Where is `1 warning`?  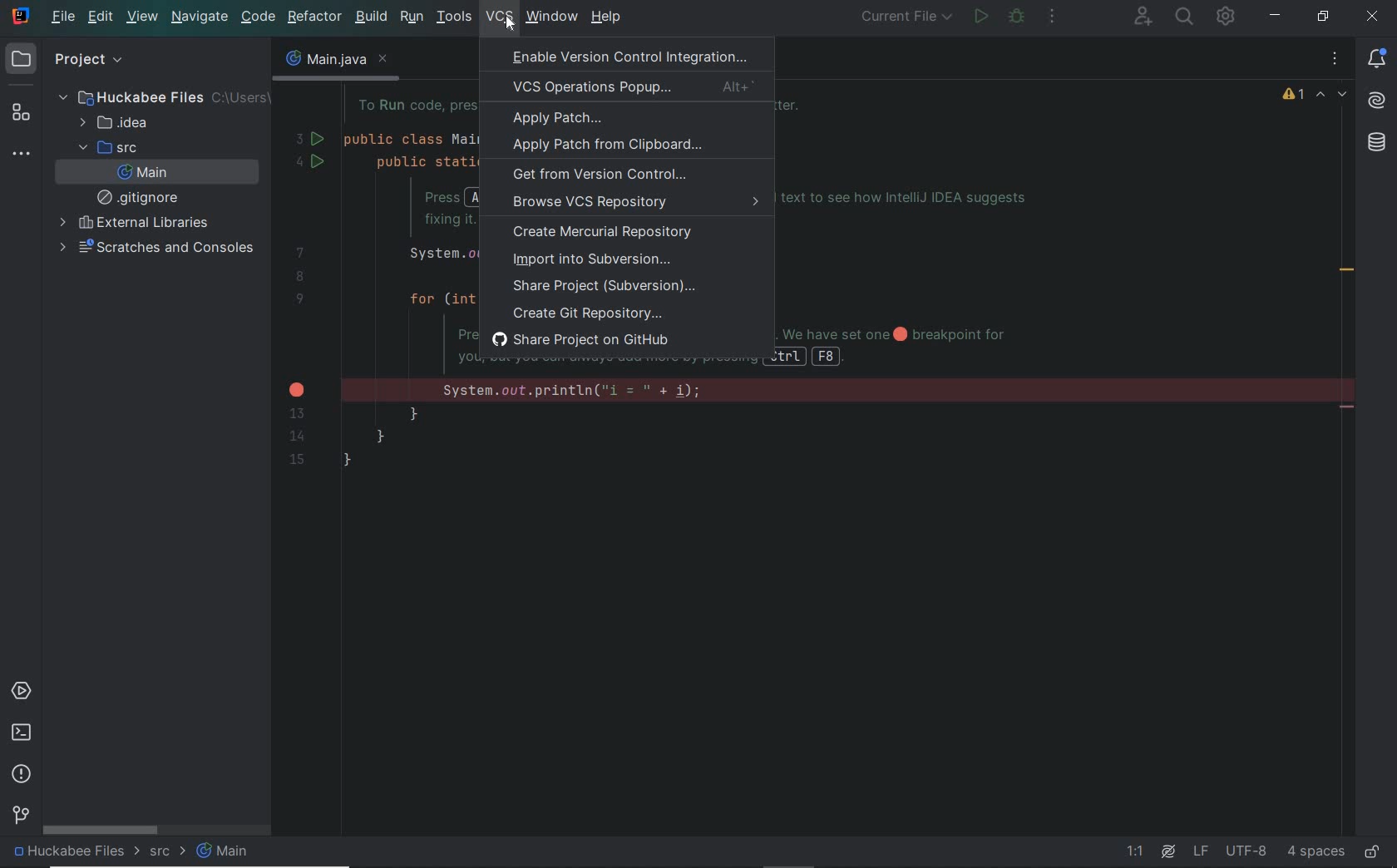
1 warning is located at coordinates (1296, 97).